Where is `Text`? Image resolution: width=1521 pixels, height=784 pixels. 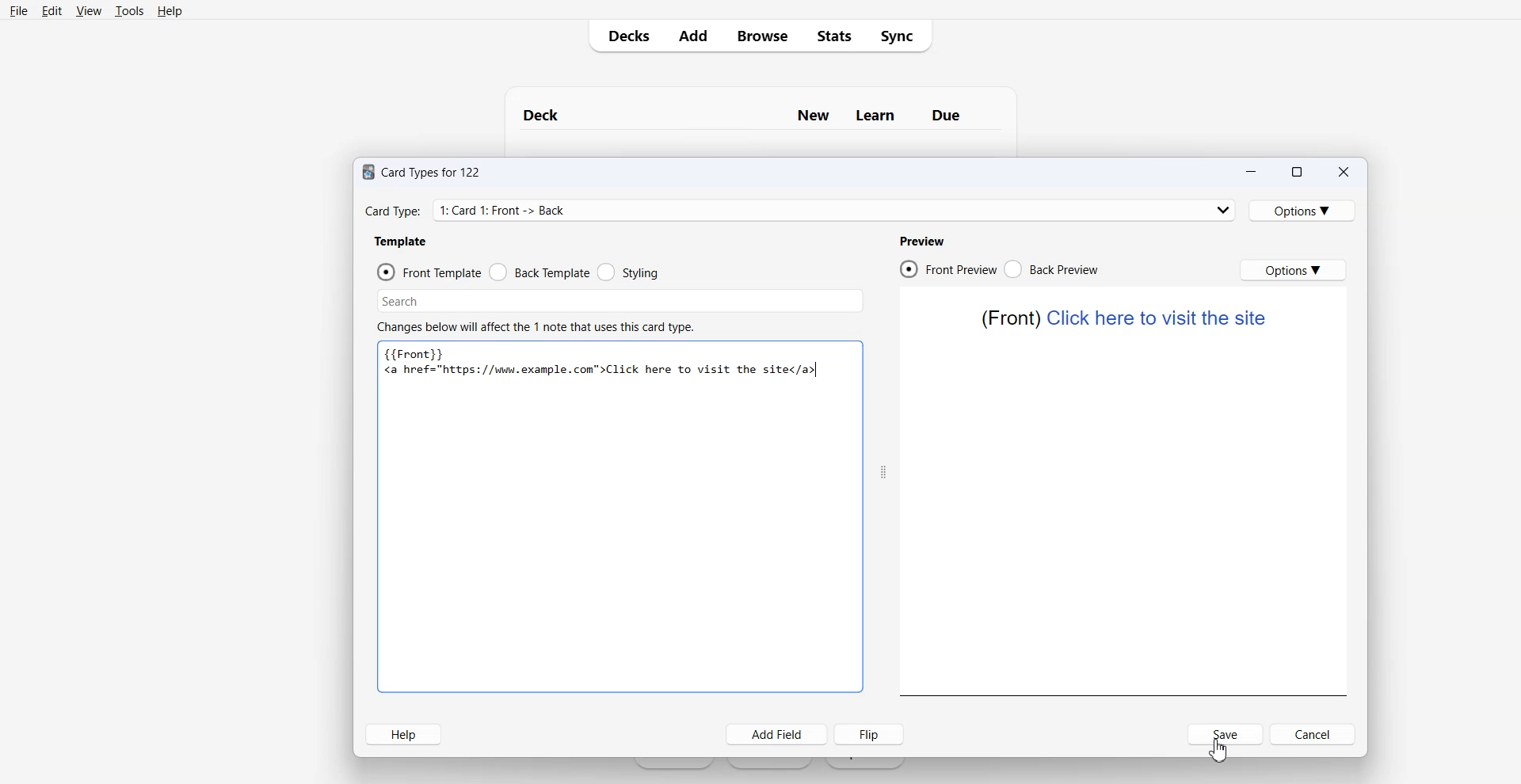
Text is located at coordinates (602, 371).